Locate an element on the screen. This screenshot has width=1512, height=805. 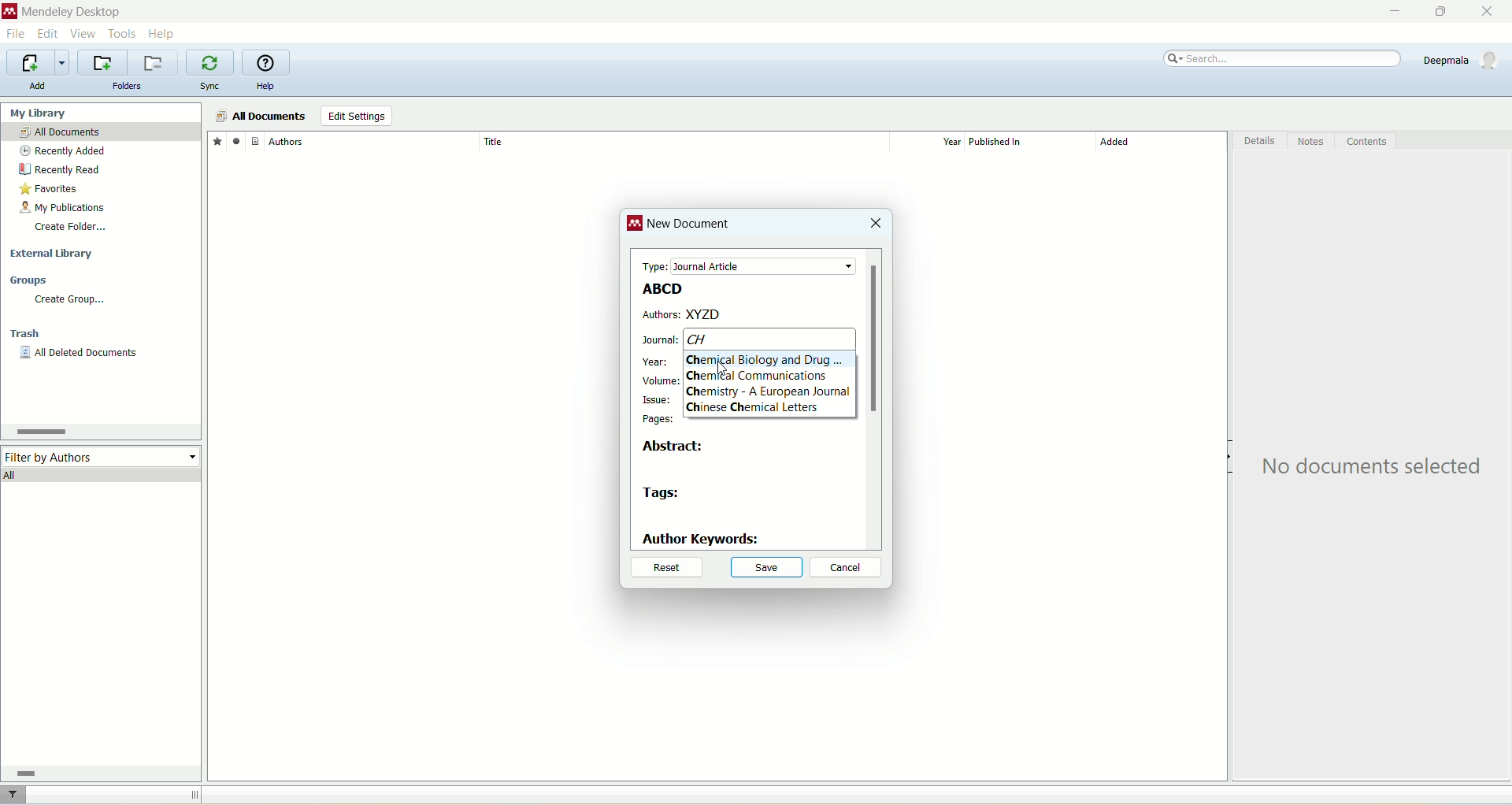
edit is located at coordinates (46, 34).